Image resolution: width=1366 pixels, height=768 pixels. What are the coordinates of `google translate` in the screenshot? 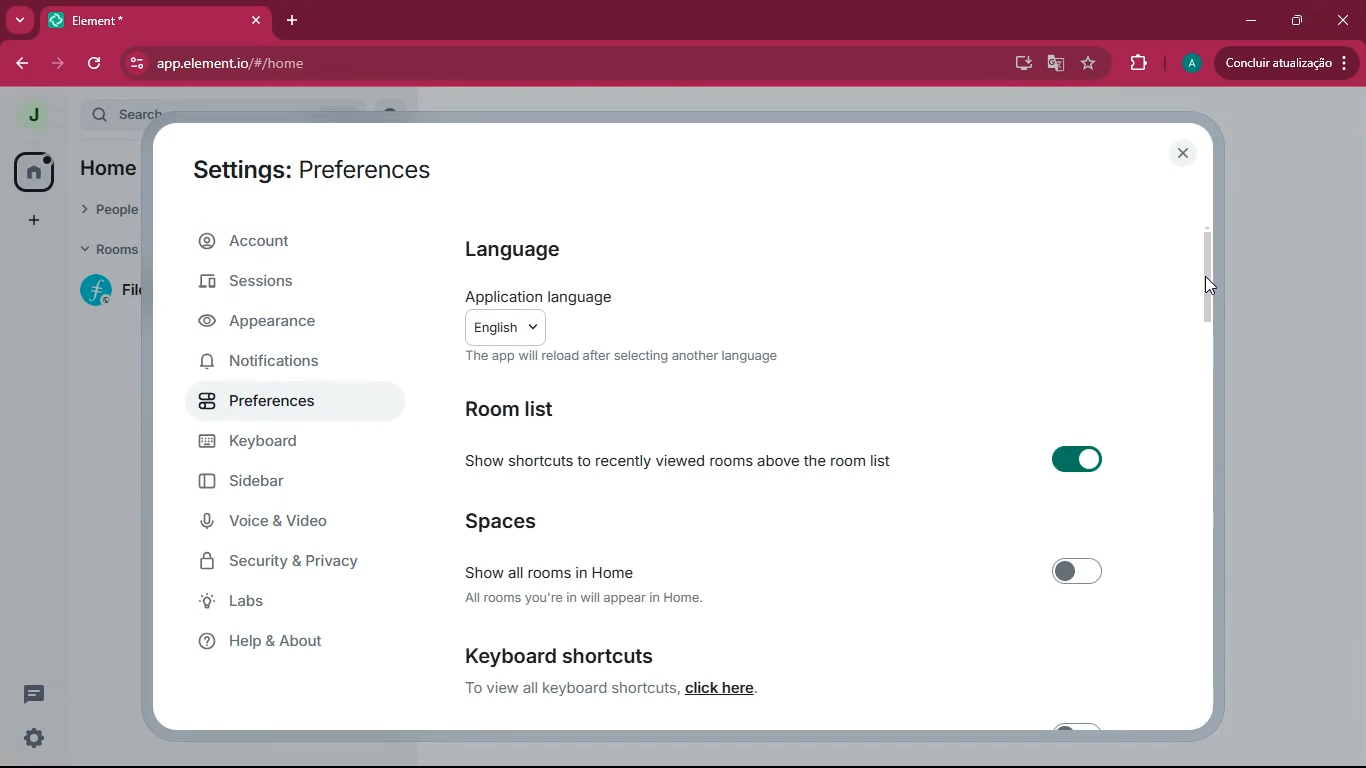 It's located at (1056, 65).